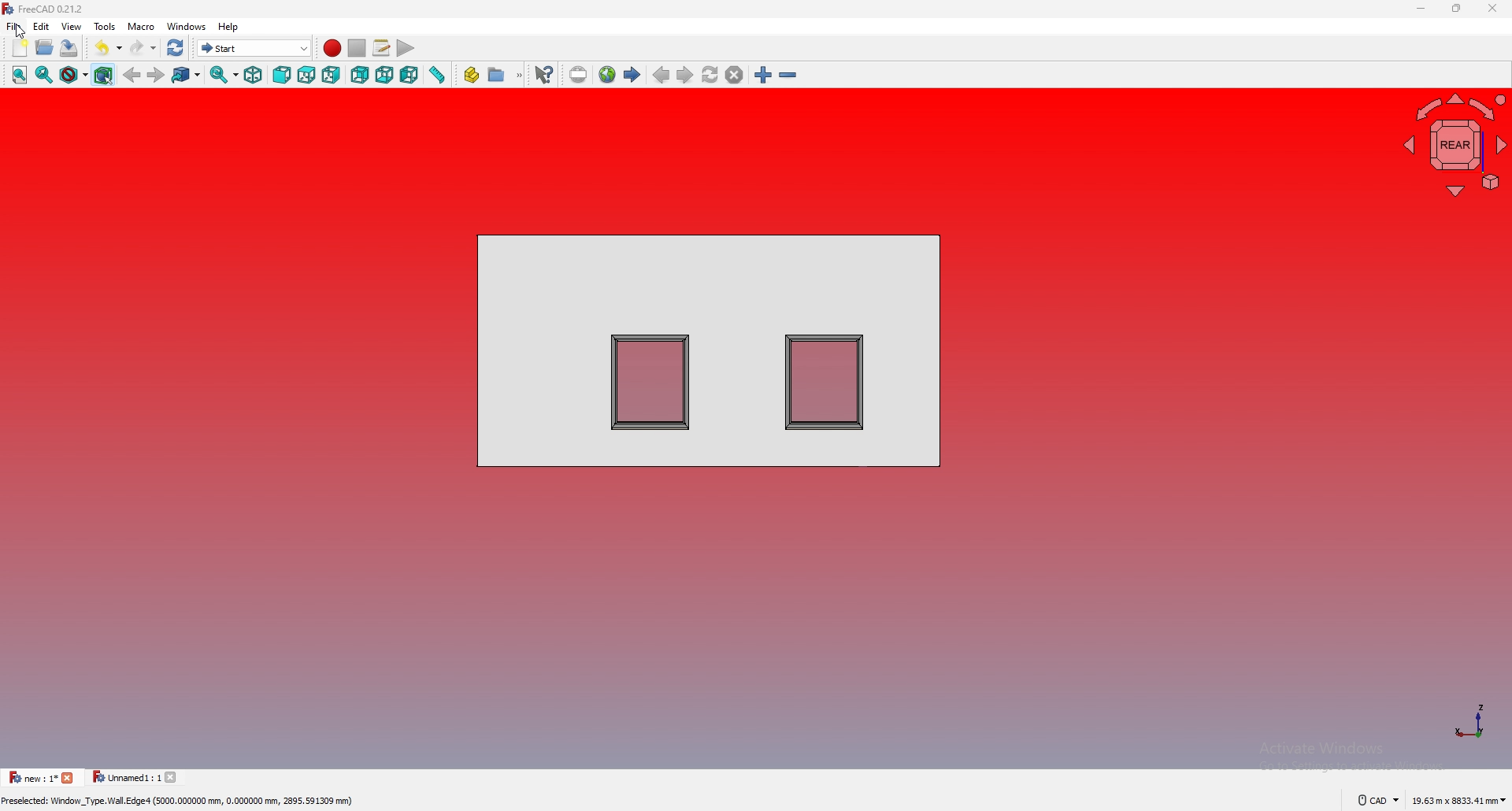 This screenshot has height=811, width=1512. I want to click on isometric, so click(255, 75).